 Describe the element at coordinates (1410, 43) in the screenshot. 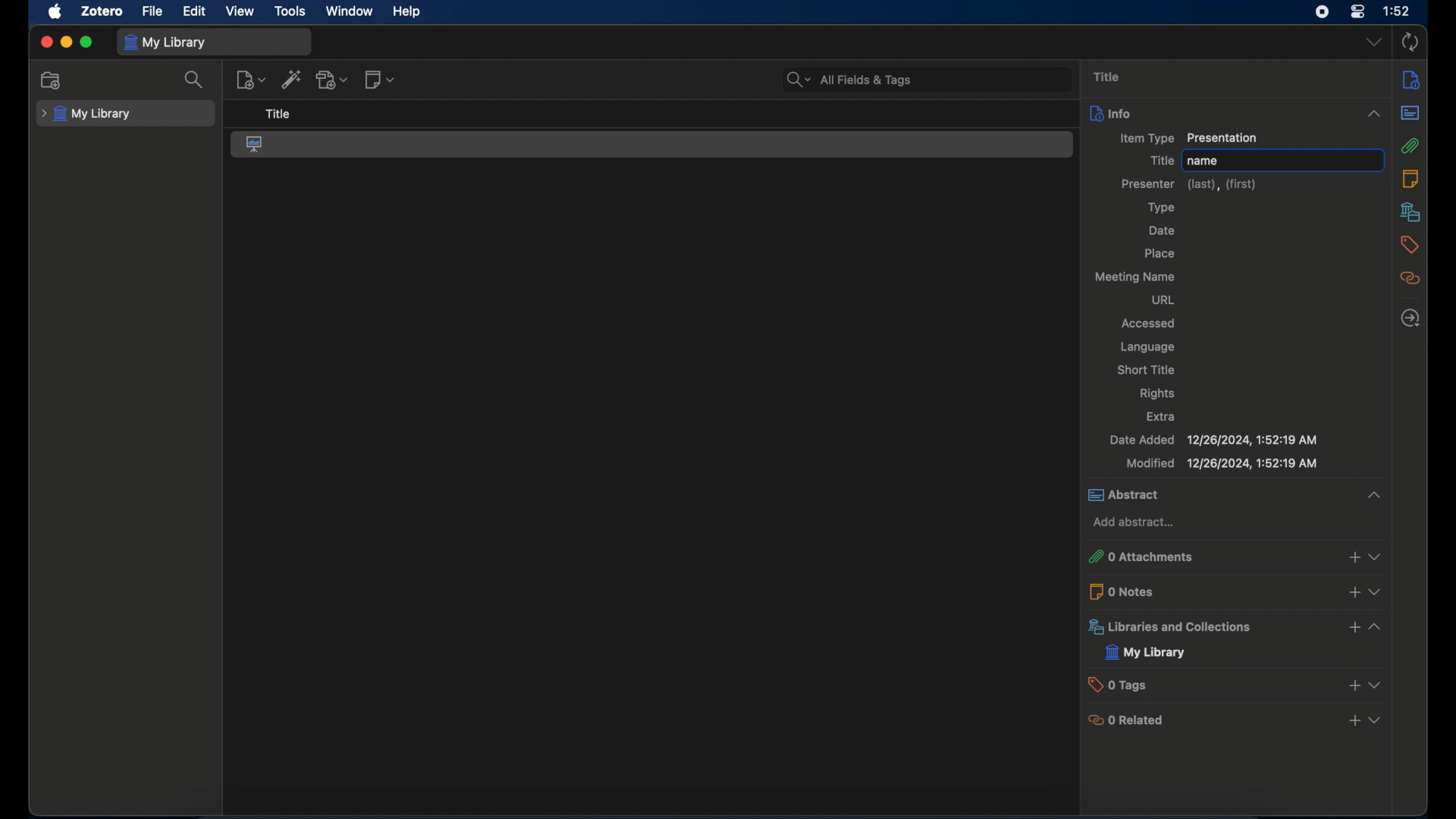

I see `sync` at that location.